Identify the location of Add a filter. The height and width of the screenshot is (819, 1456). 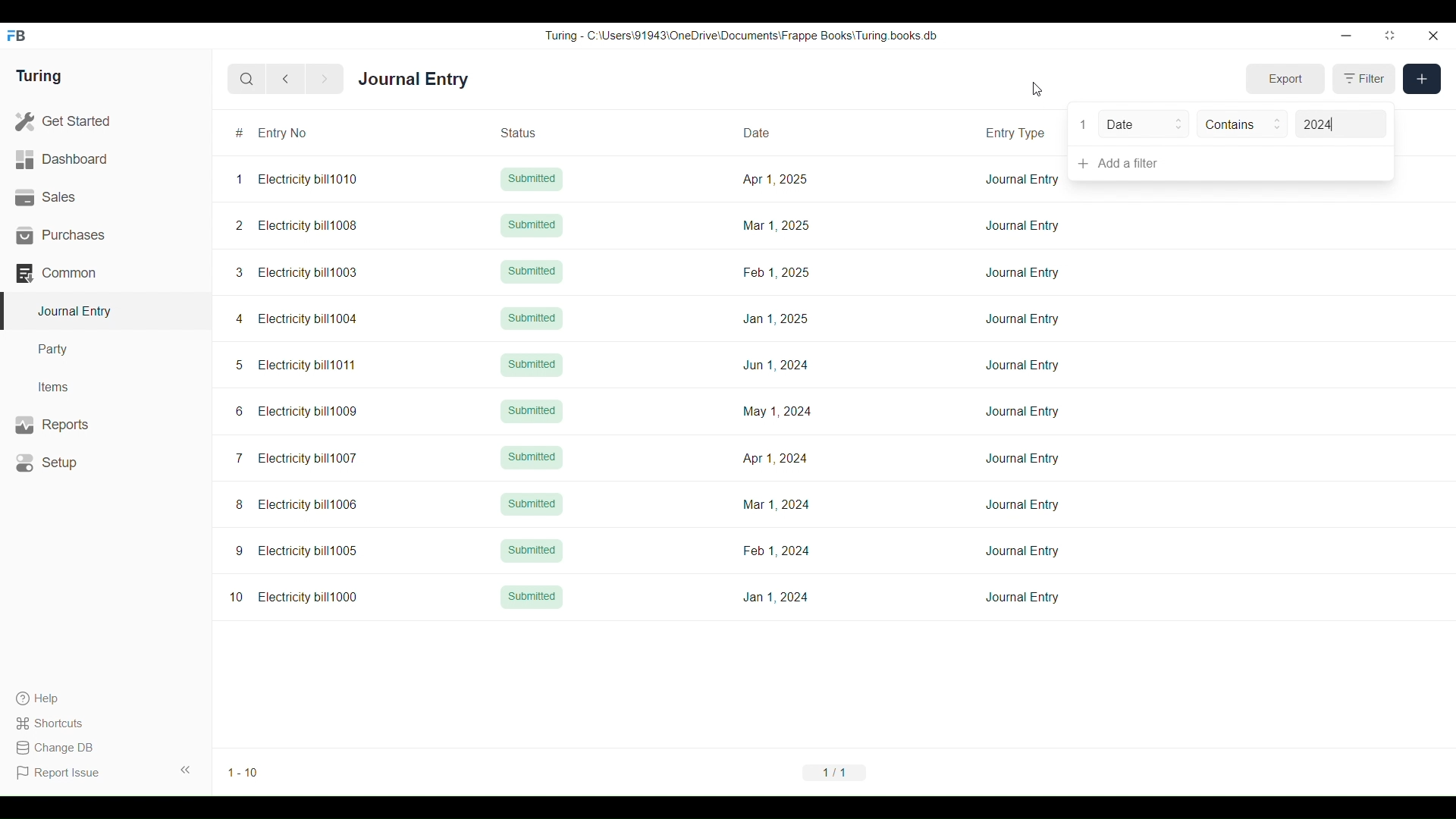
(1230, 164).